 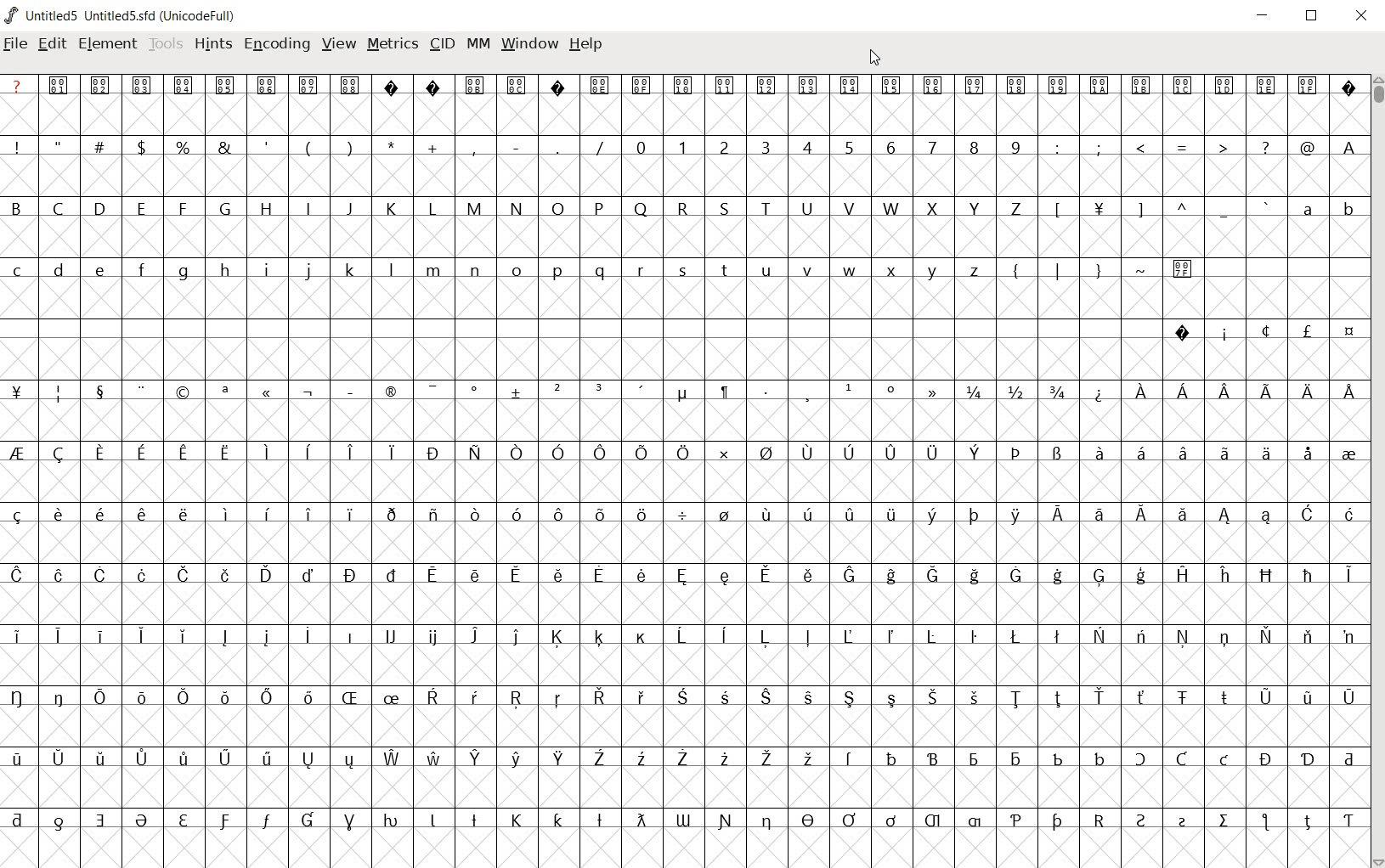 I want to click on [, so click(x=1055, y=211).